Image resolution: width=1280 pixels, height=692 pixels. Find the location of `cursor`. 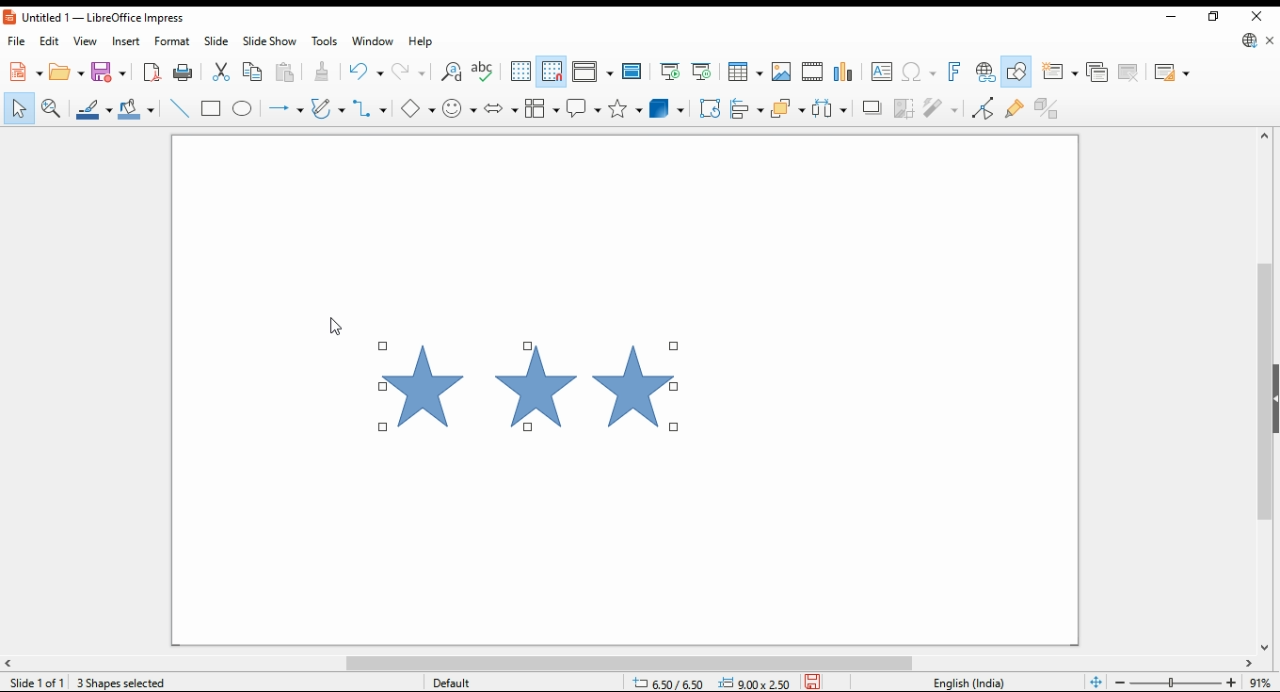

cursor is located at coordinates (335, 326).